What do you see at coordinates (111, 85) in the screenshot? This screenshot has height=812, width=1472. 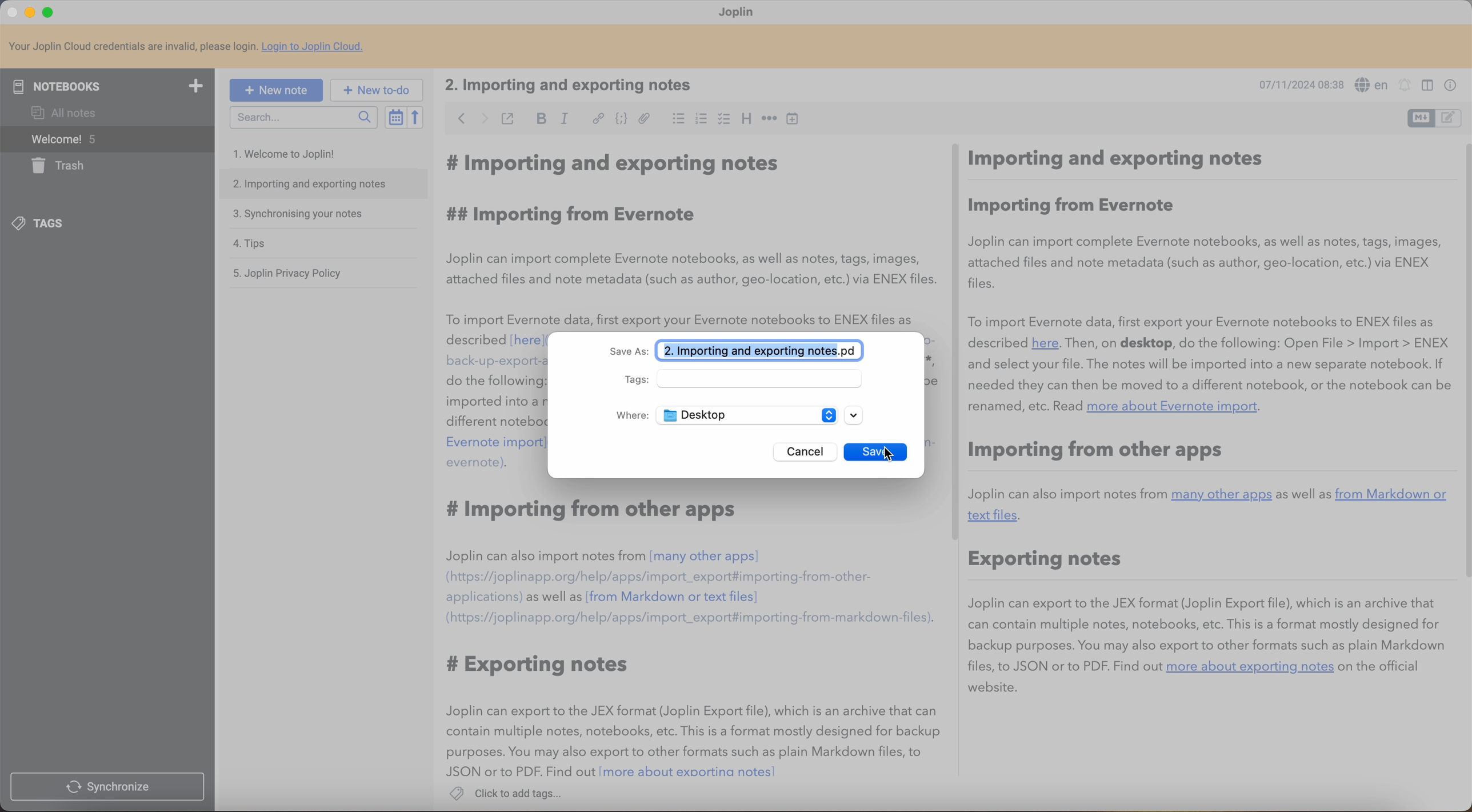 I see `notebooks` at bounding box center [111, 85].